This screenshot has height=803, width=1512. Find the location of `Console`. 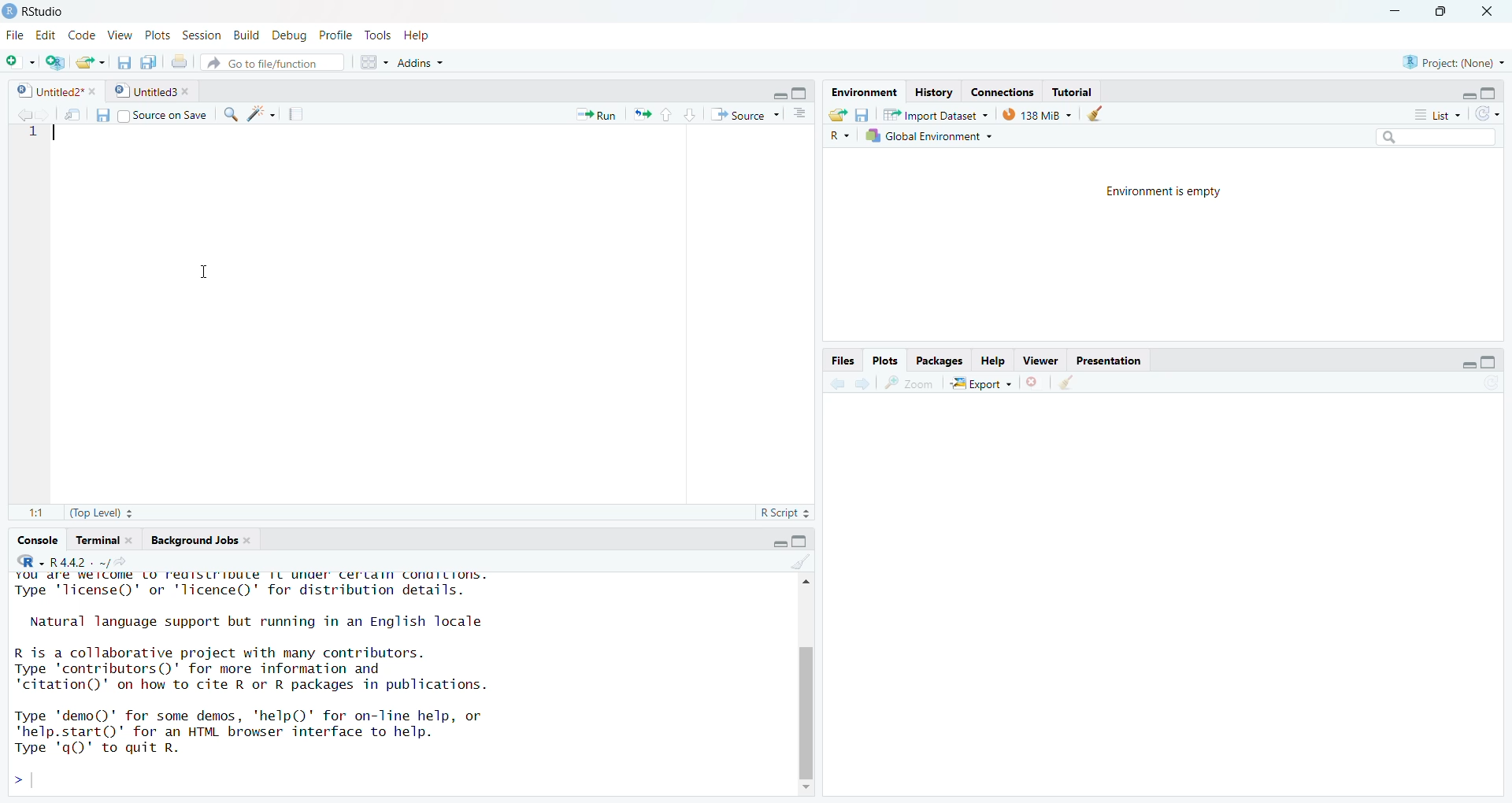

Console is located at coordinates (37, 539).